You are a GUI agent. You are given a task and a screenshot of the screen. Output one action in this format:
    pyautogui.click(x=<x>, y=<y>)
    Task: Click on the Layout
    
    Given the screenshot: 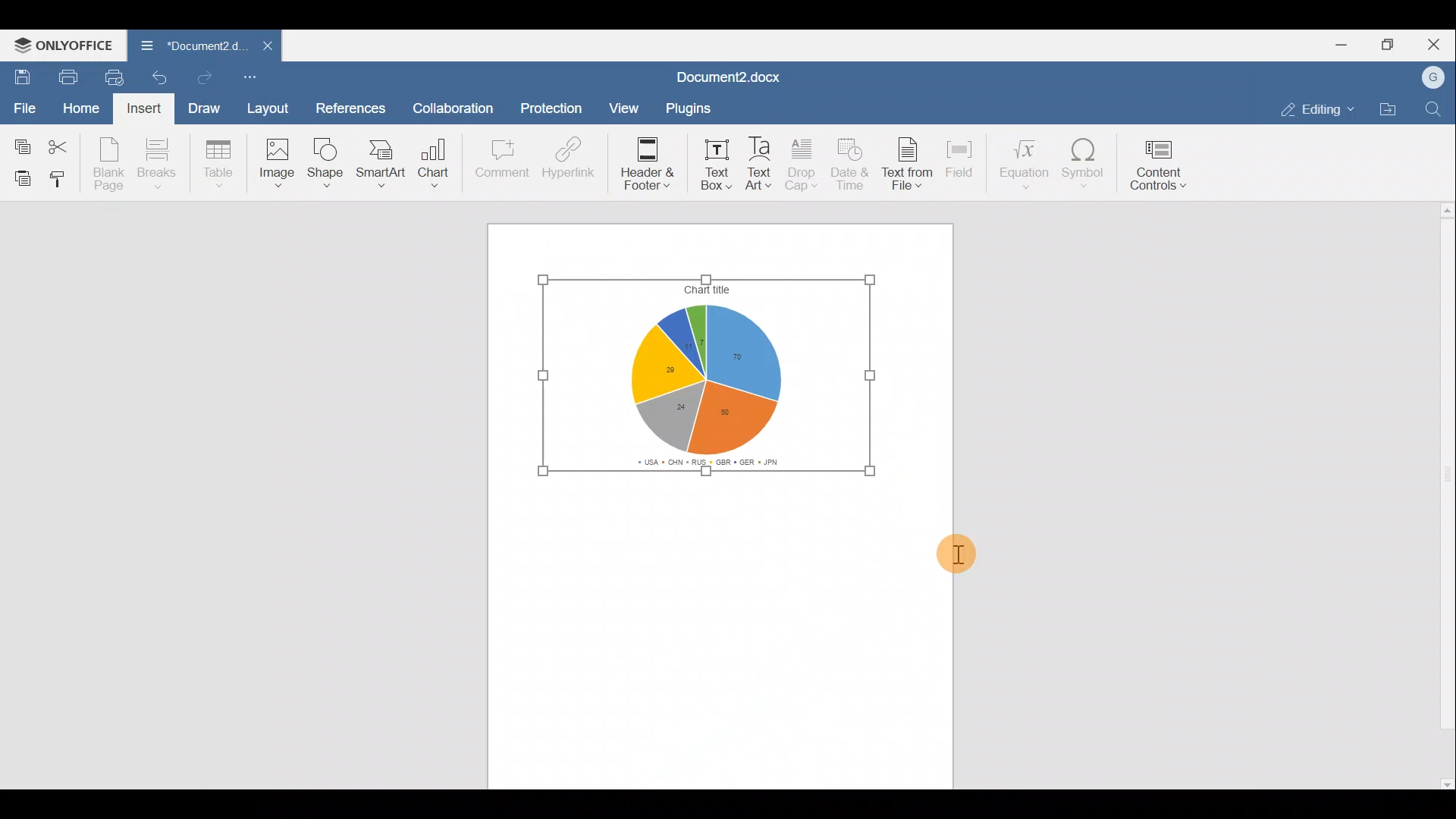 What is the action you would take?
    pyautogui.click(x=268, y=110)
    